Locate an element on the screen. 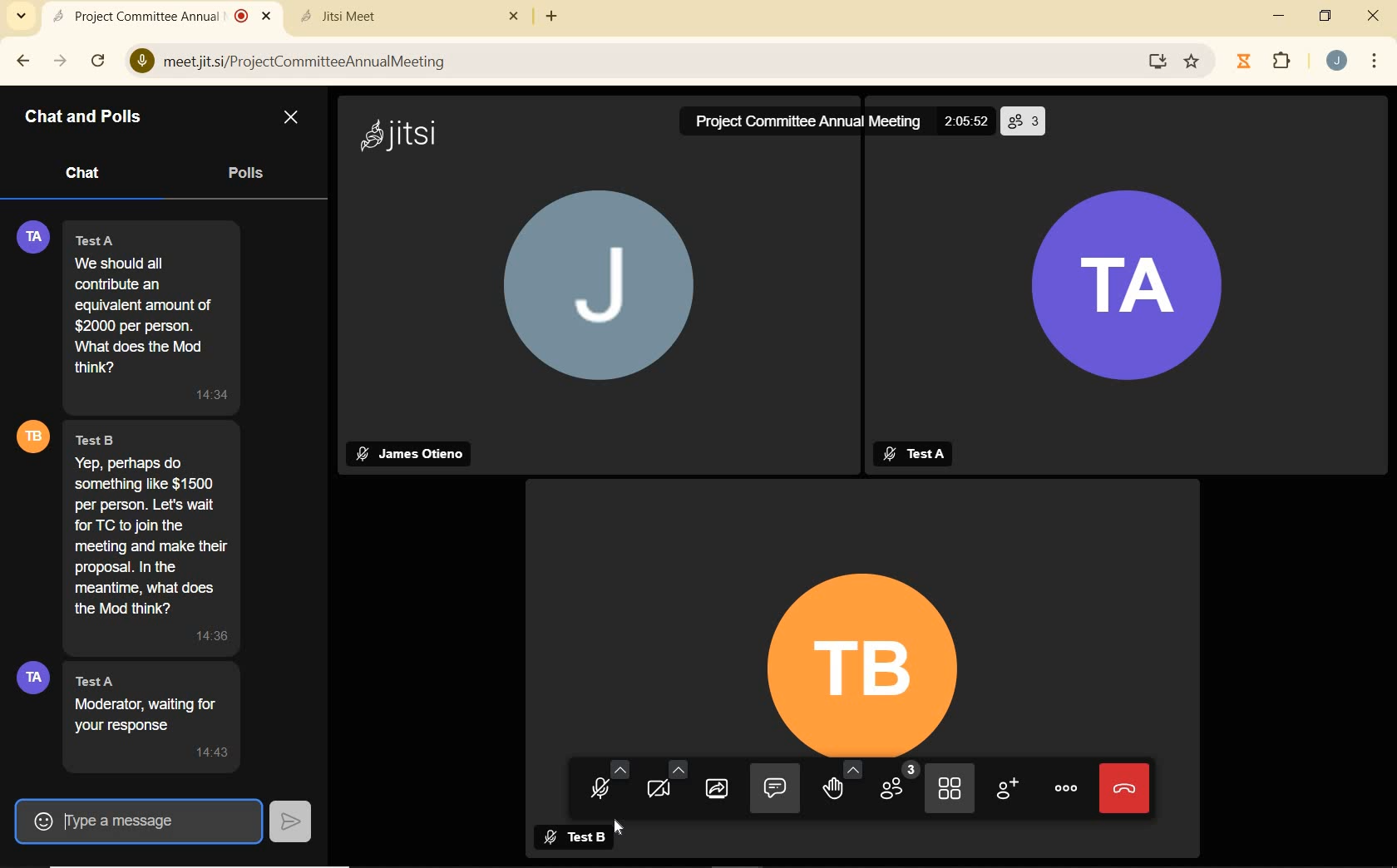 This screenshot has height=868, width=1397. Google Meet install is located at coordinates (1150, 62).